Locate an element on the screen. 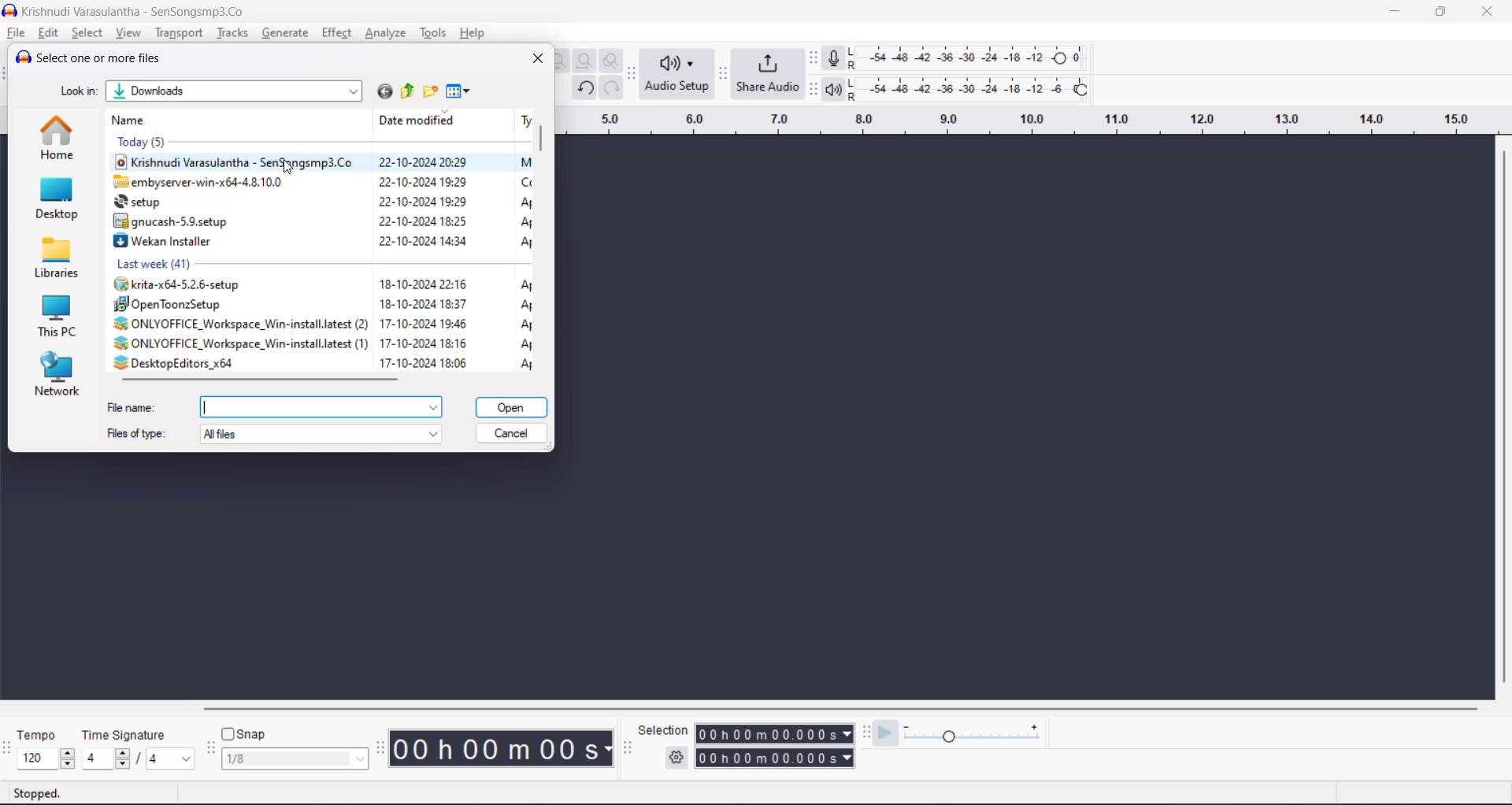  2% ONLYOFFICE_ Workspace Win-install.latest (1) 17-10-2024 18:16 A is located at coordinates (324, 342).